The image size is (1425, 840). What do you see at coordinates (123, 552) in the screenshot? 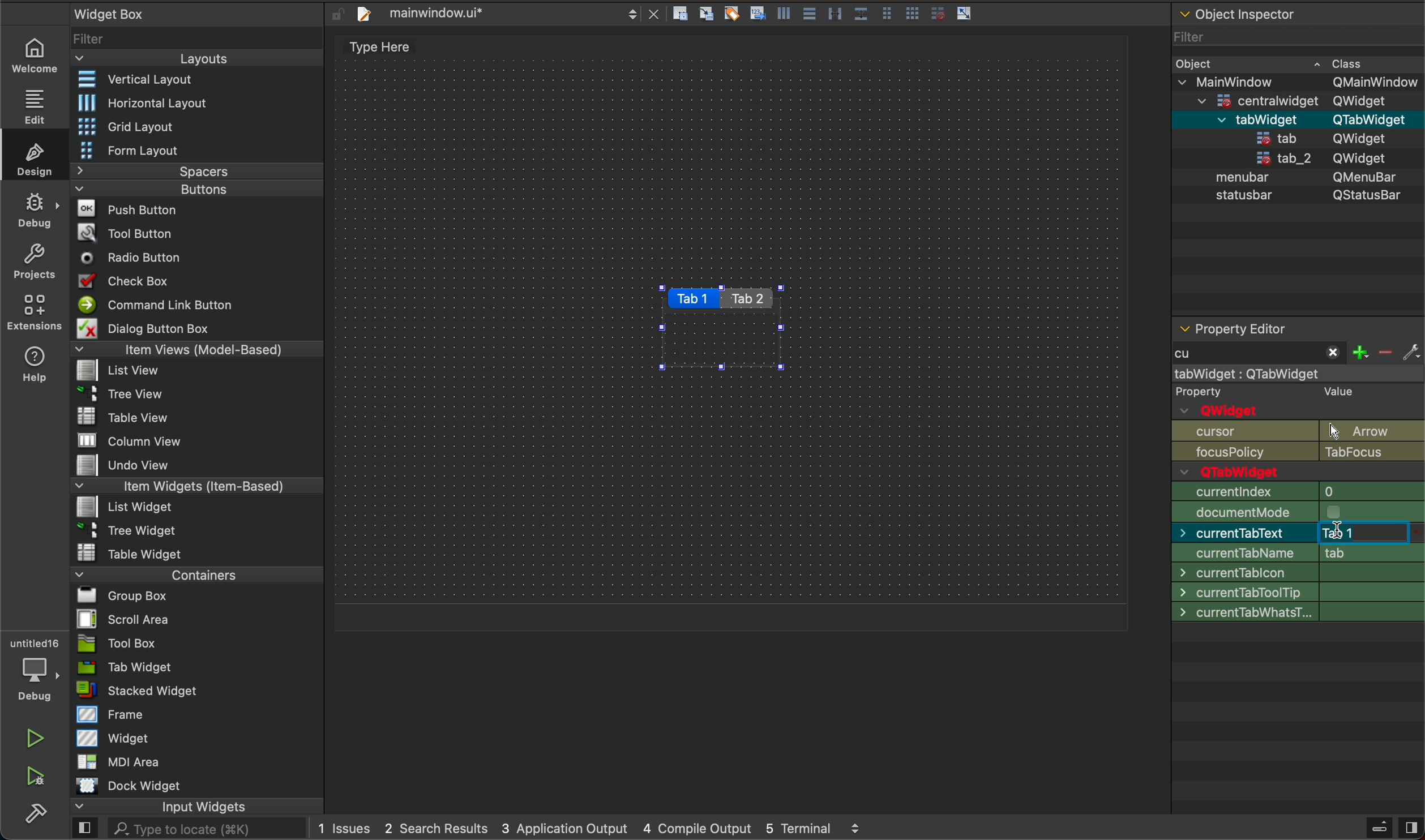
I see `Table Widget` at bounding box center [123, 552].